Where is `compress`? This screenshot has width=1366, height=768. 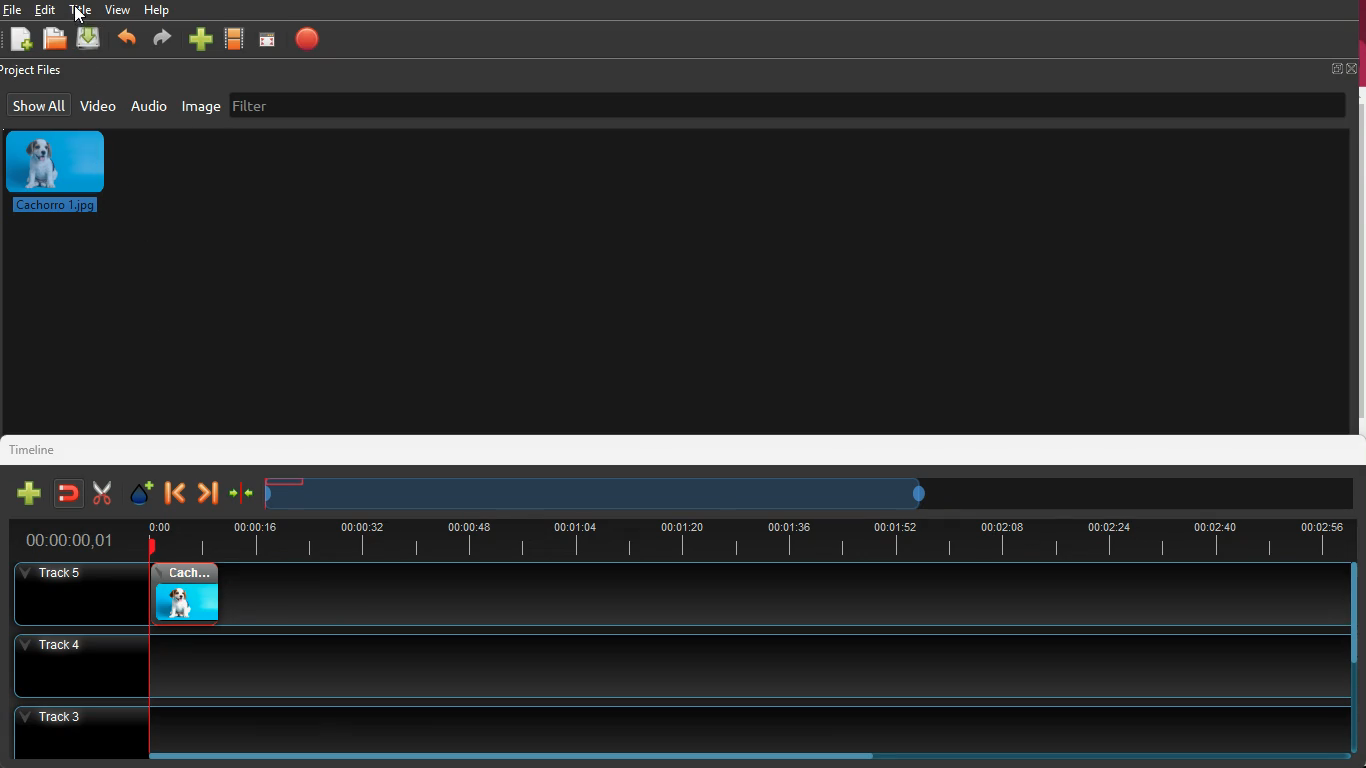
compress is located at coordinates (241, 496).